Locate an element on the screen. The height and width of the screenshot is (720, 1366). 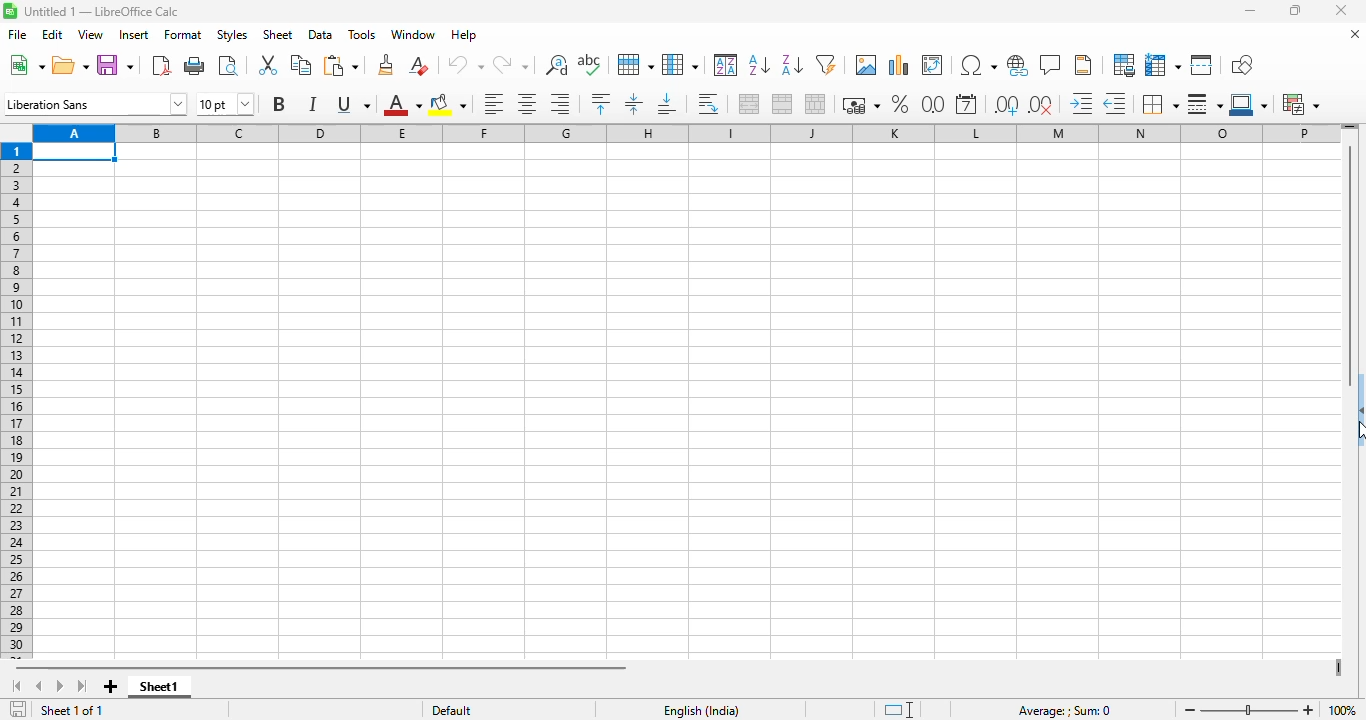
freeze rows and columns is located at coordinates (1163, 65).